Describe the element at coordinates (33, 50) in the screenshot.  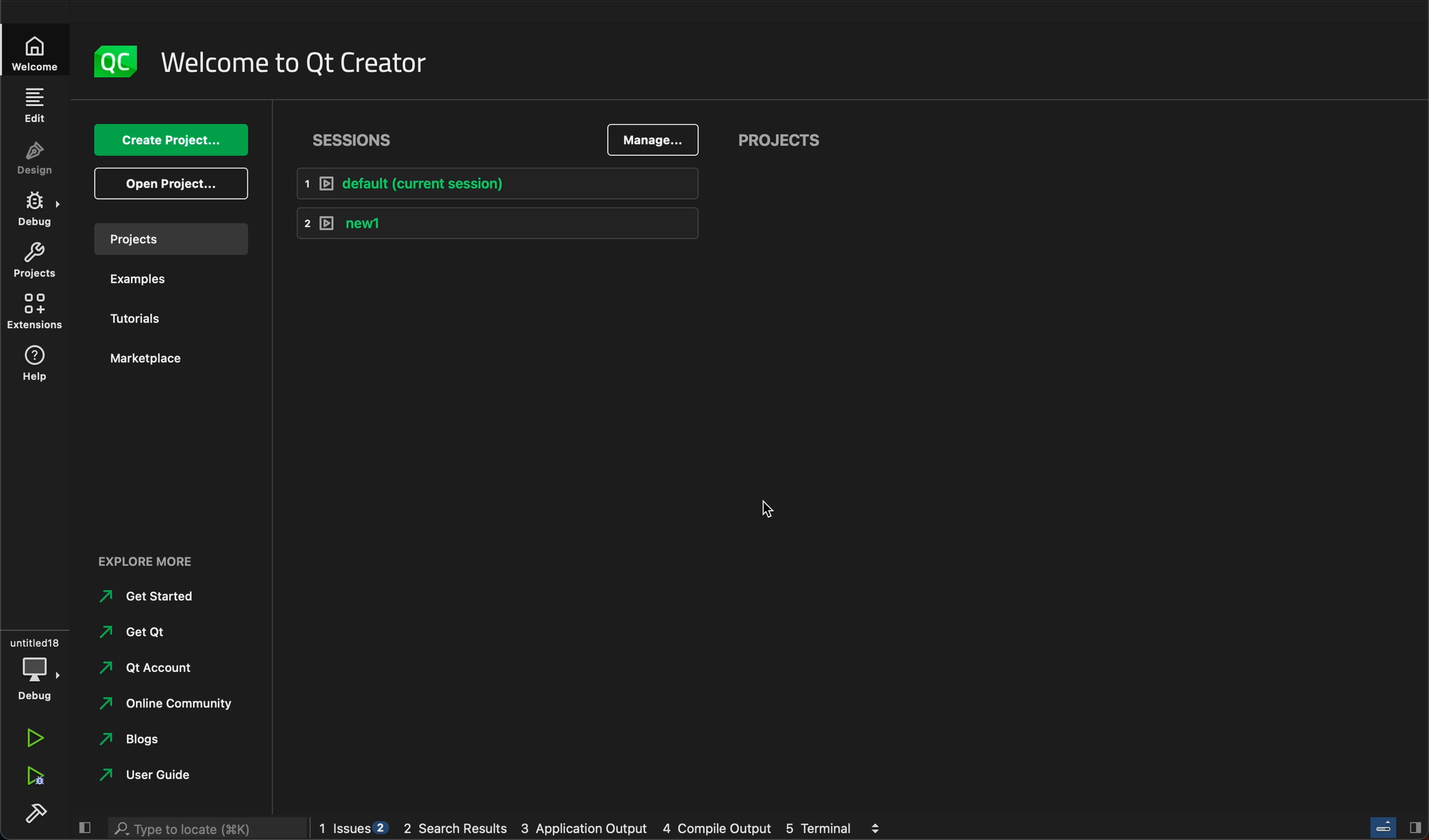
I see `welcome` at that location.